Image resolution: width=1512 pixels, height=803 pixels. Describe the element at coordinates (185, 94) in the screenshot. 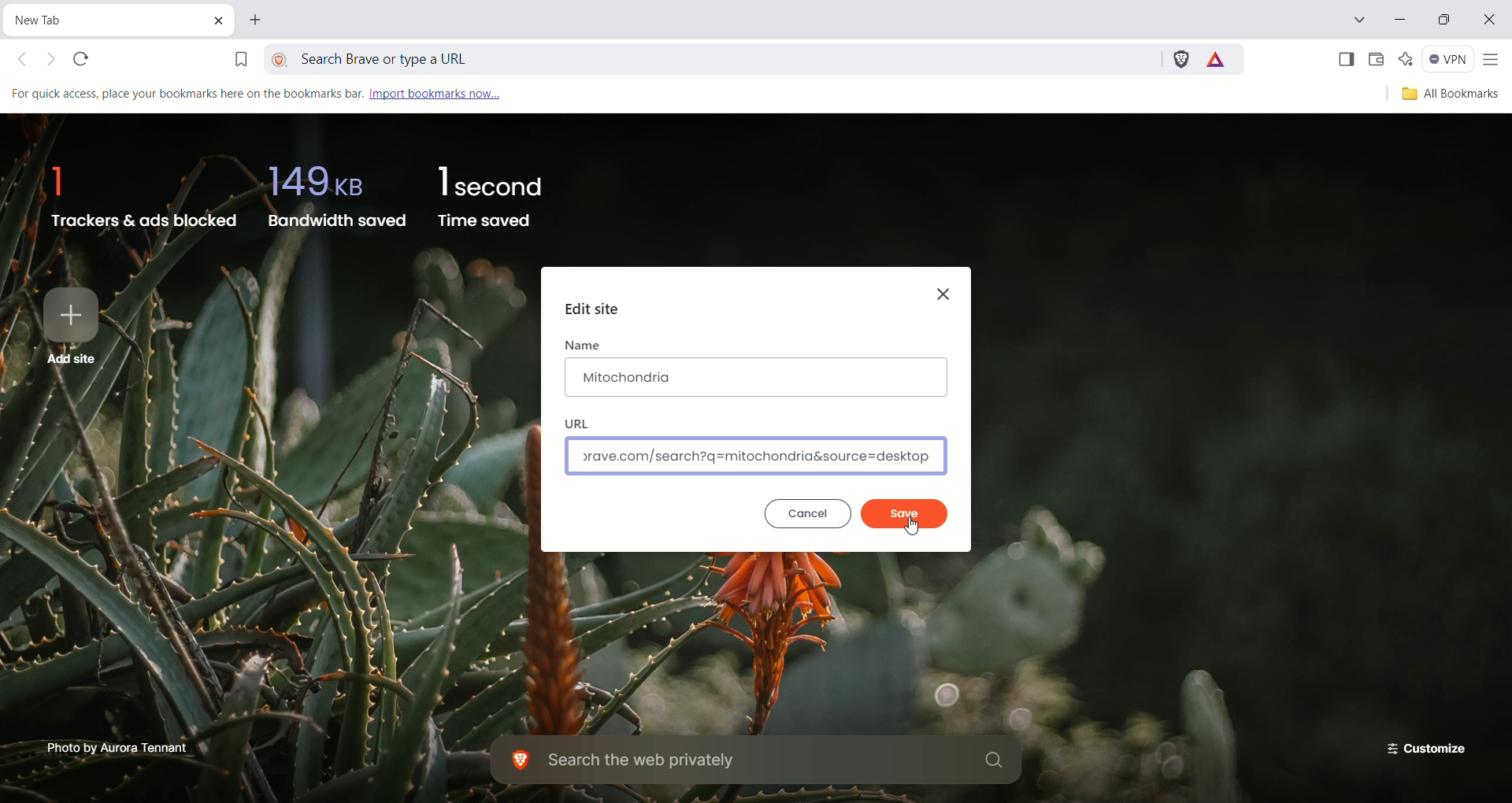

I see `For quick access, place your bookmarks here on the bookmarks bar.` at that location.